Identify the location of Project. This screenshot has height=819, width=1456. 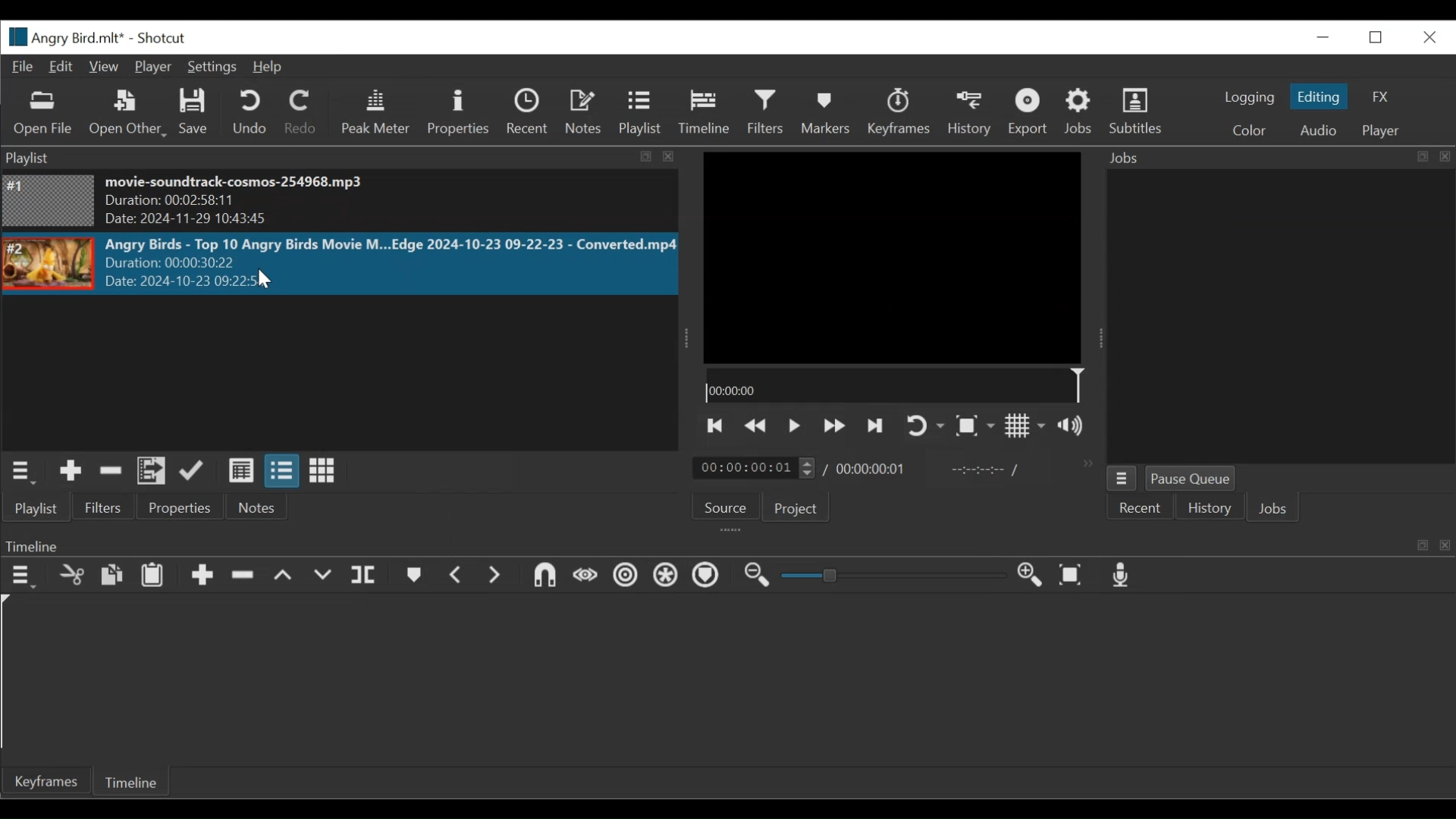
(794, 508).